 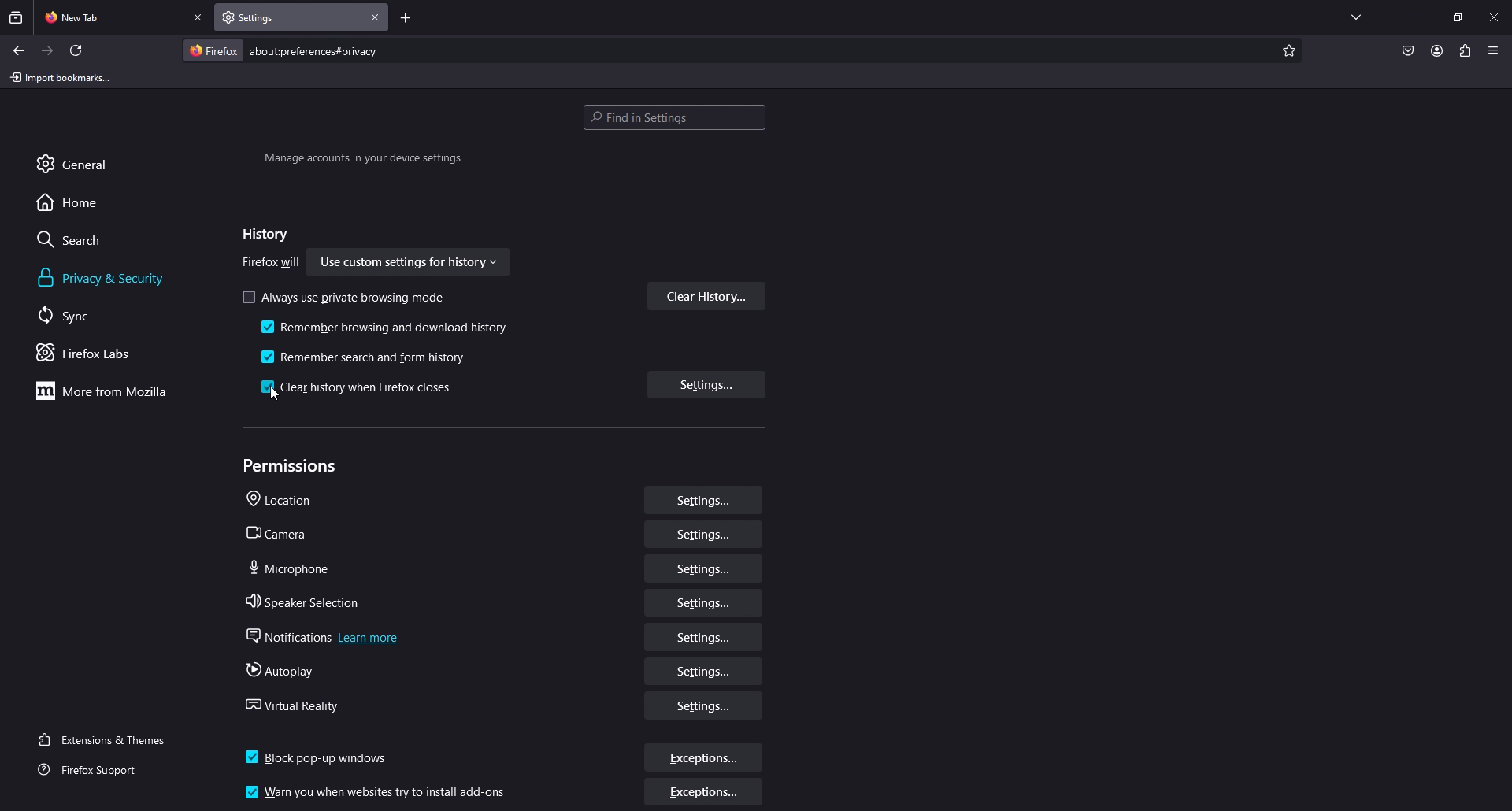 What do you see at coordinates (90, 163) in the screenshot?
I see `general` at bounding box center [90, 163].